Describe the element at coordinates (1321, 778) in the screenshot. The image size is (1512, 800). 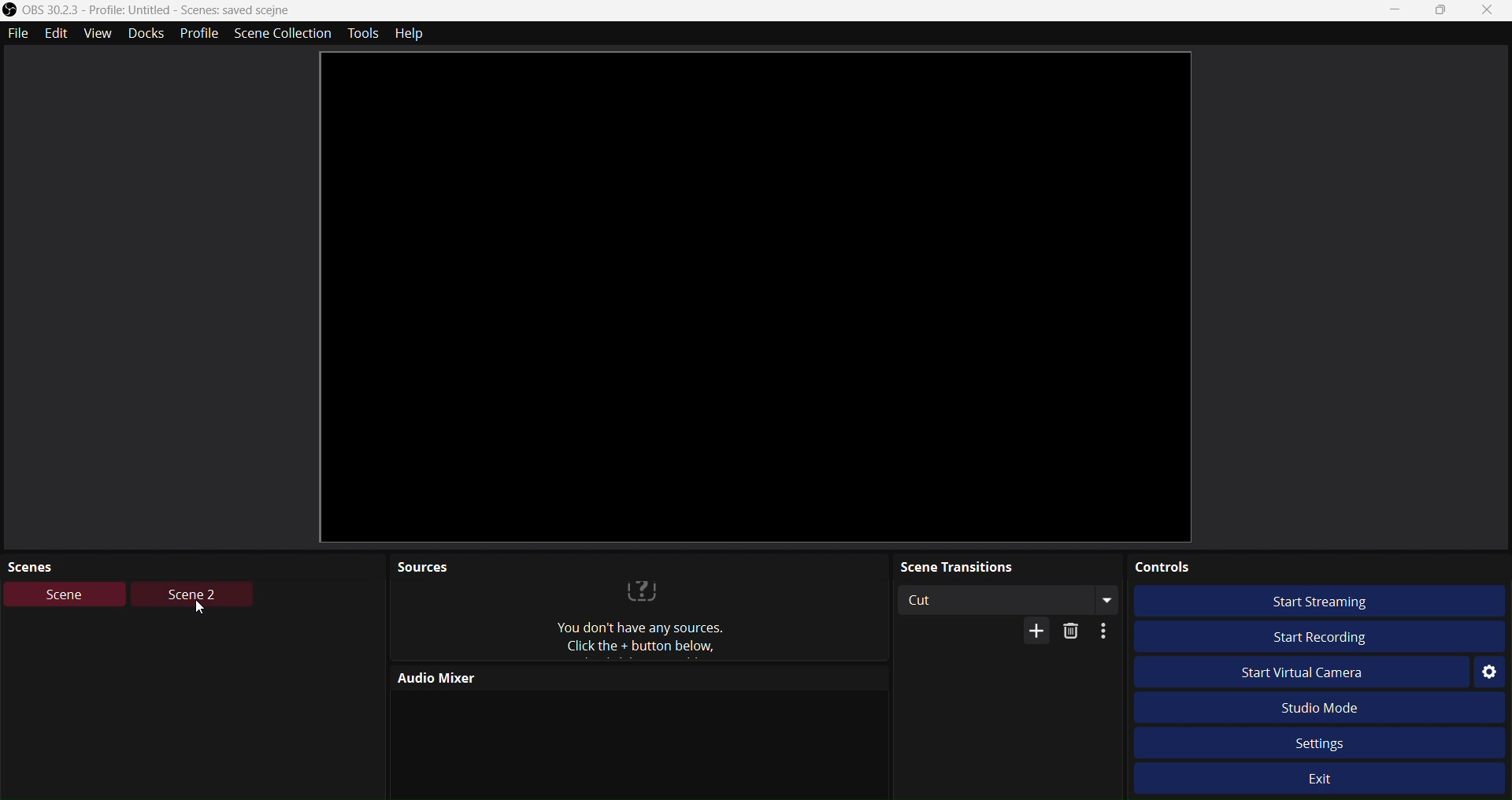
I see `Exit` at that location.